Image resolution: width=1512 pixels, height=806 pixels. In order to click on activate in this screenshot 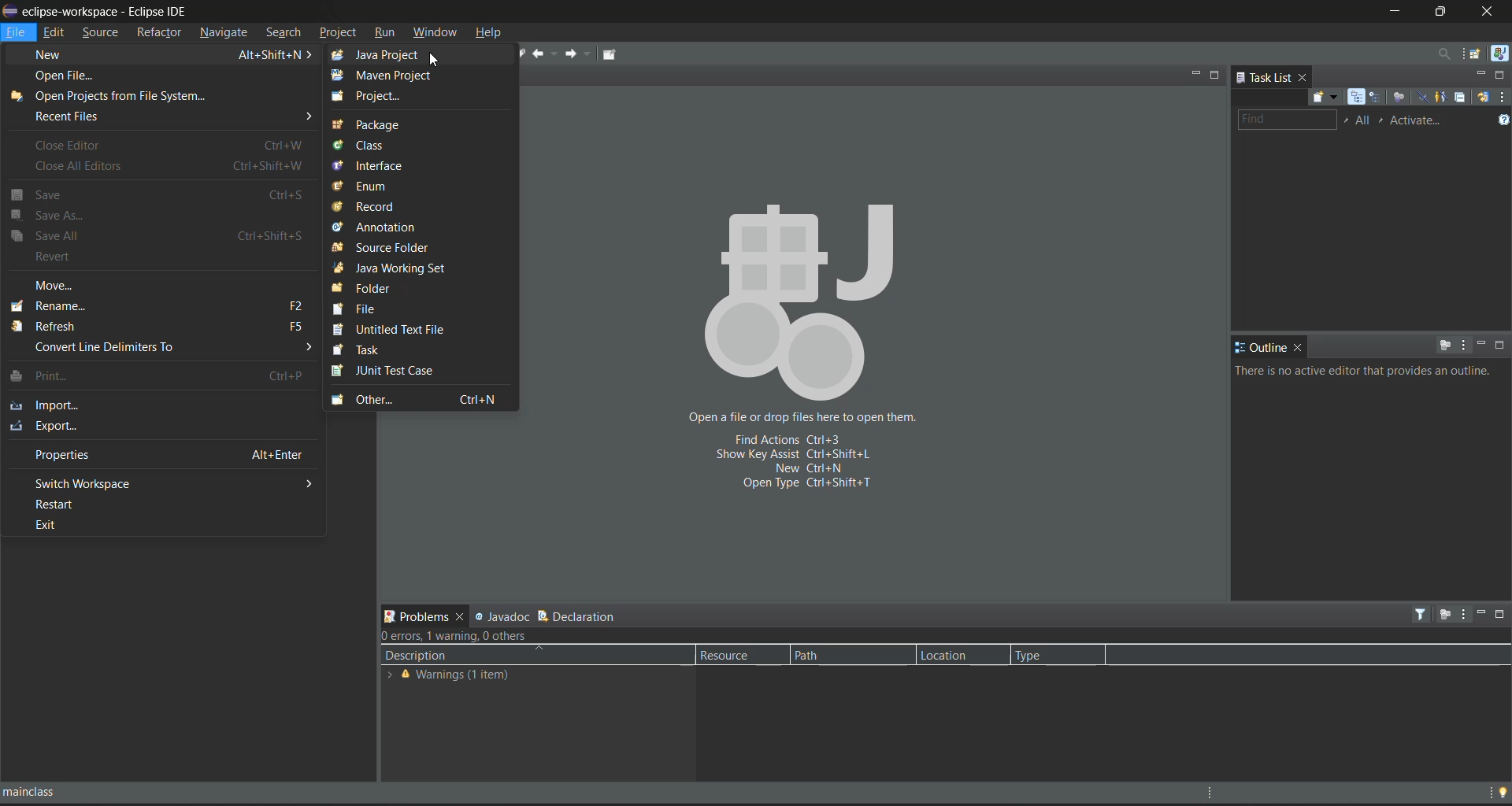, I will do `click(1420, 121)`.